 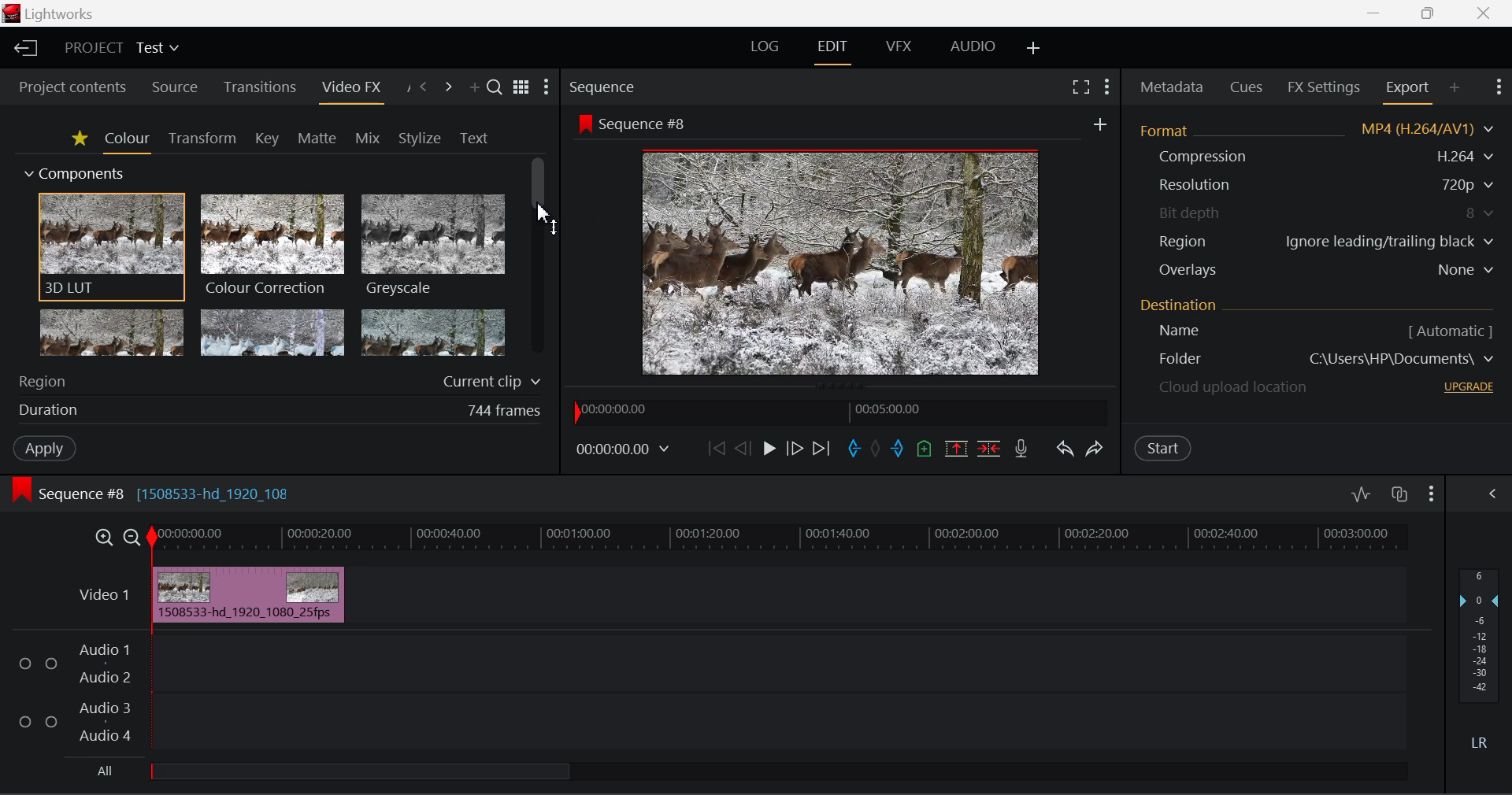 What do you see at coordinates (1324, 87) in the screenshot?
I see `FX Settings` at bounding box center [1324, 87].